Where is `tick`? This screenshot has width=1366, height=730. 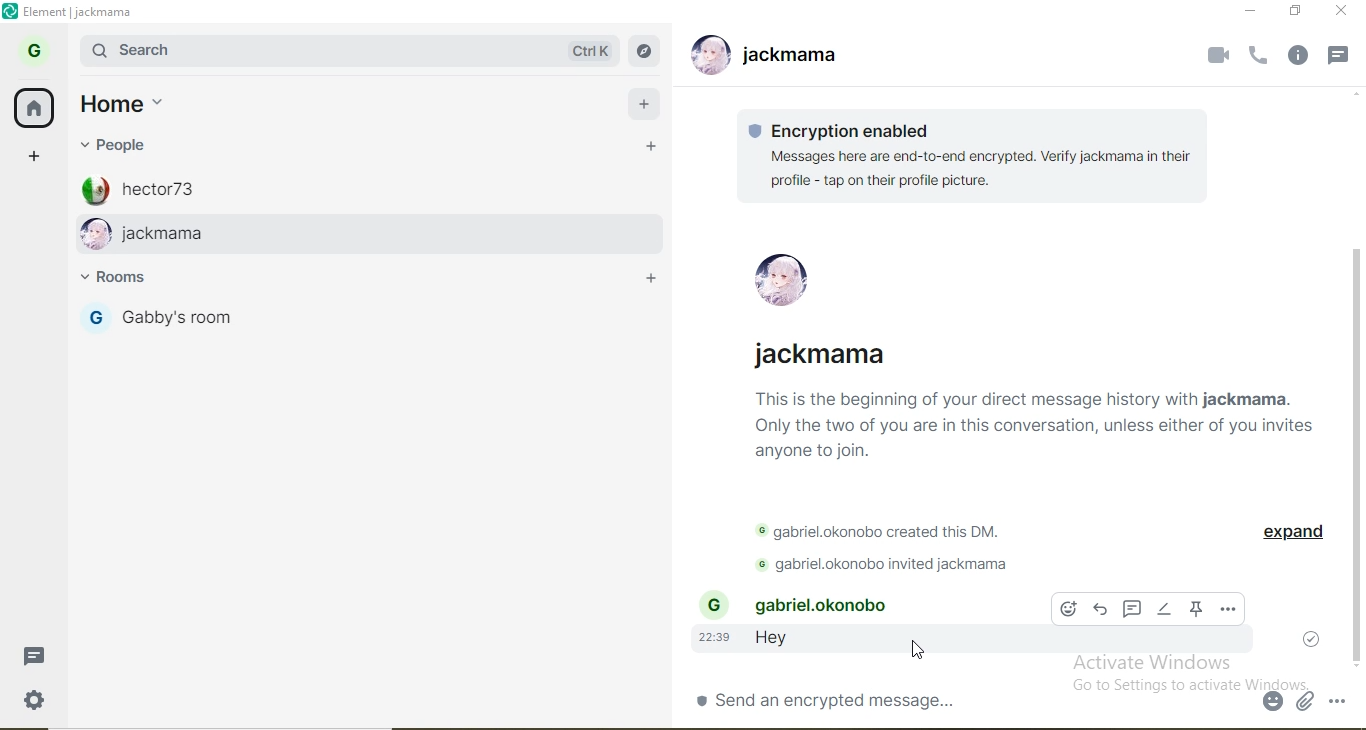 tick is located at coordinates (1309, 640).